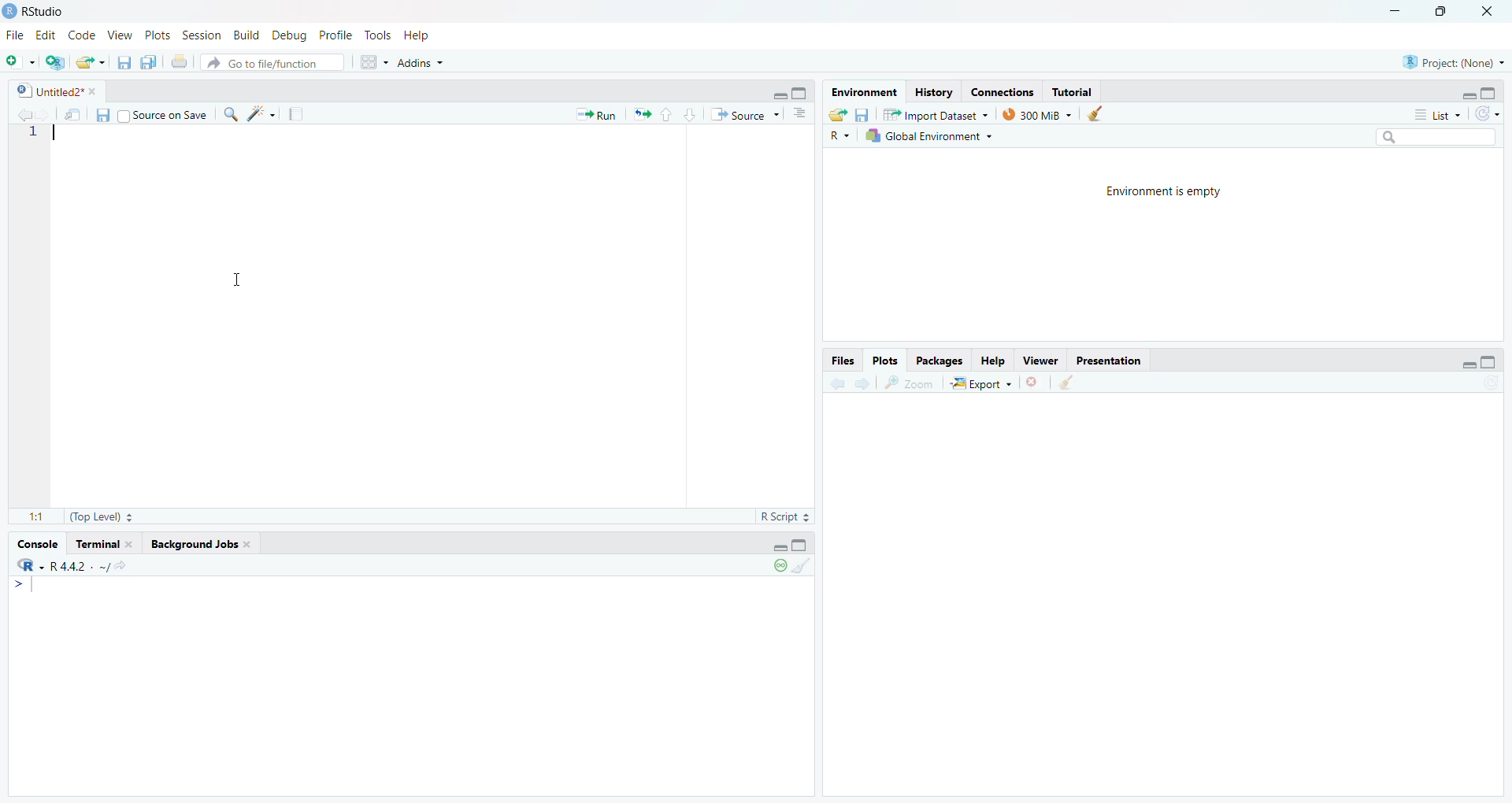  Describe the element at coordinates (337, 35) in the screenshot. I see `Profile` at that location.